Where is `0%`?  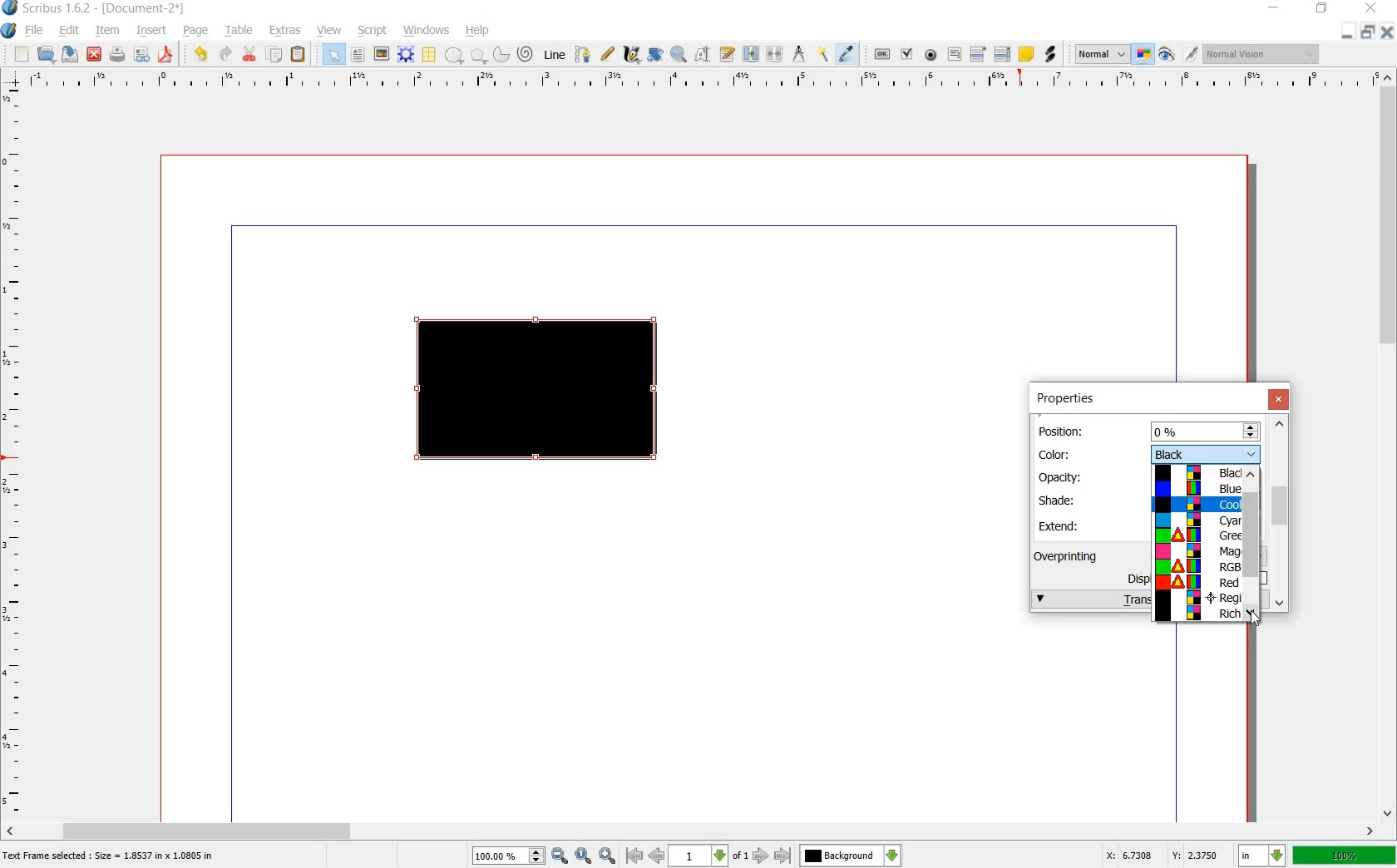
0% is located at coordinates (1206, 431).